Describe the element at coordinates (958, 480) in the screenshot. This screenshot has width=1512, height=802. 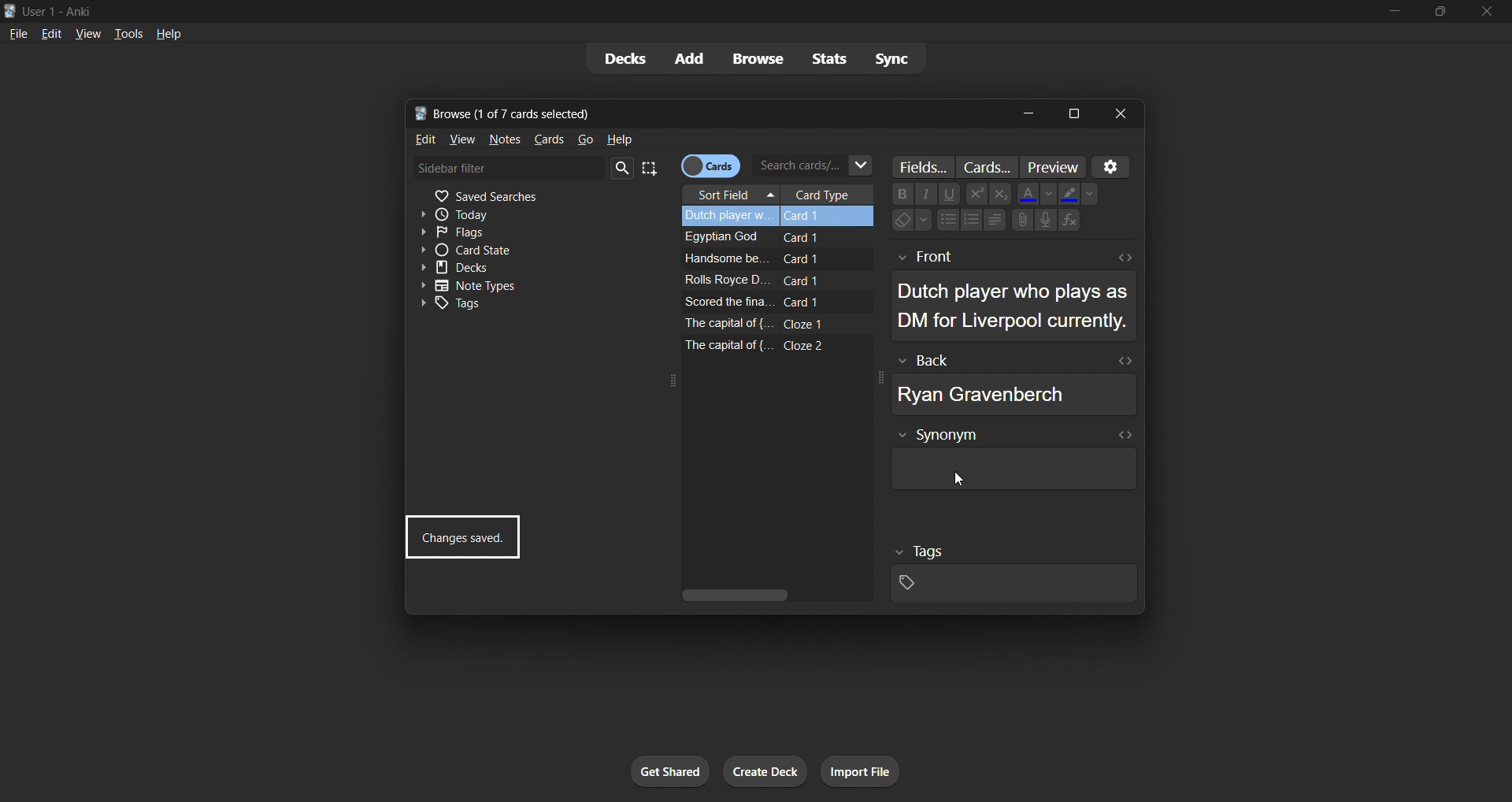
I see `cursor` at that location.